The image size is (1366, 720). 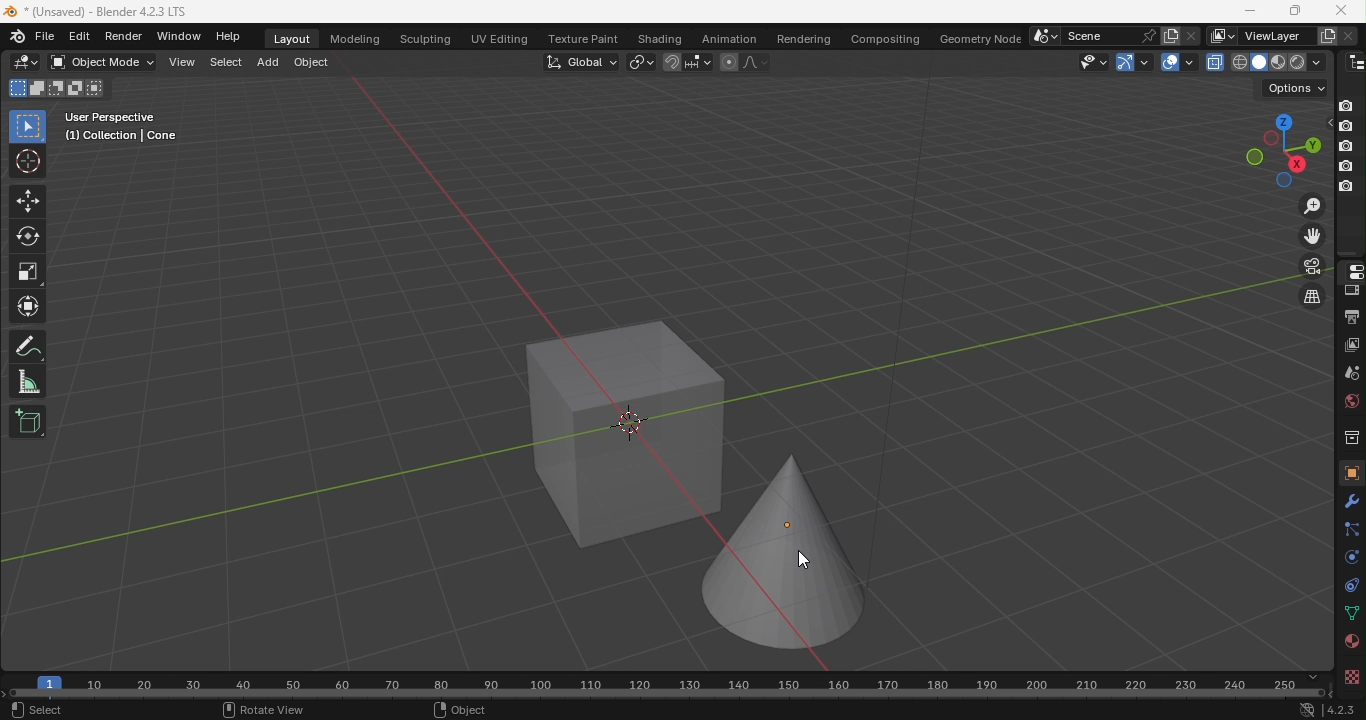 I want to click on Delete scene, so click(x=1190, y=35).